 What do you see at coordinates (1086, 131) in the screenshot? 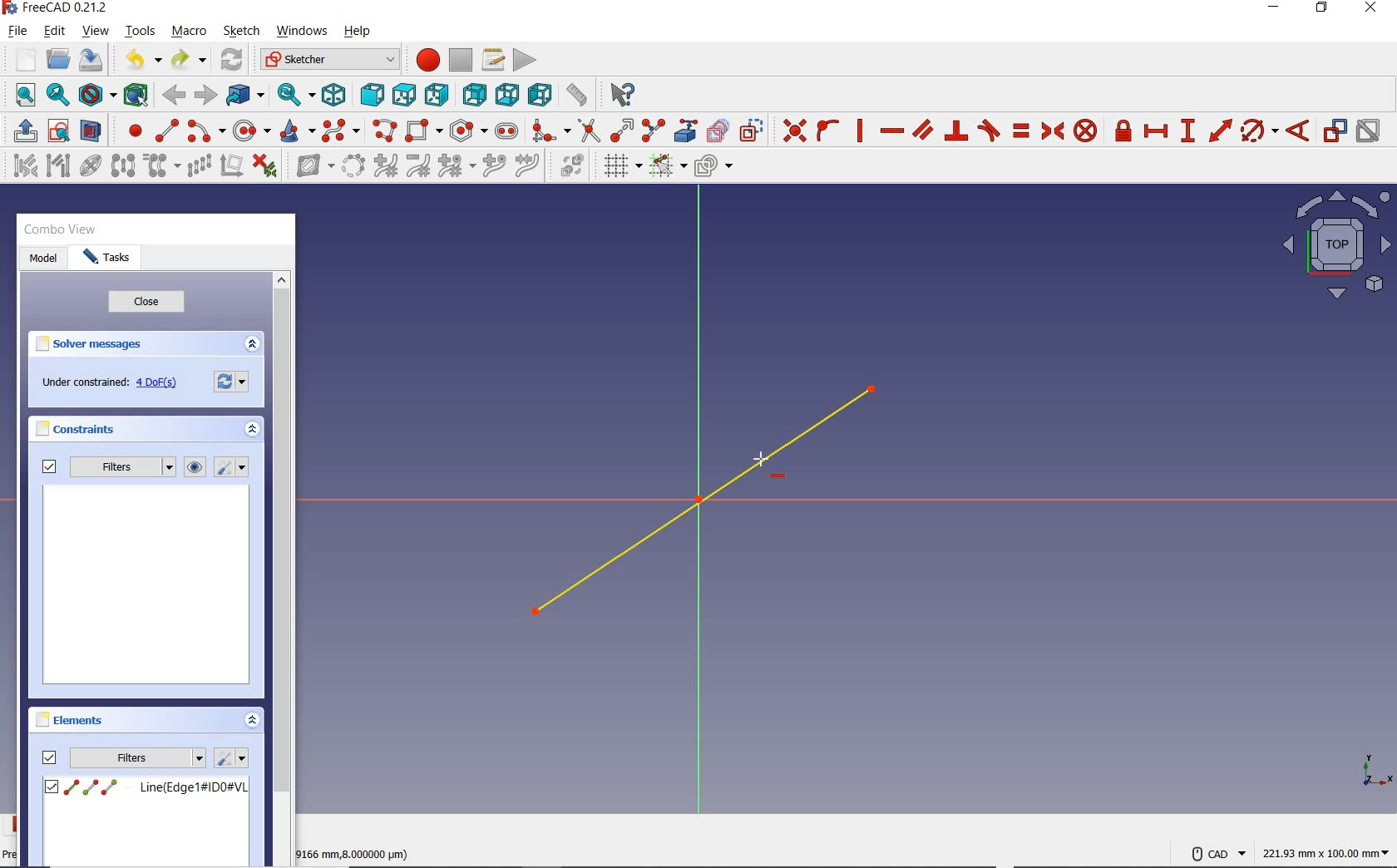
I see `CONSTRAIN BLOCK` at bounding box center [1086, 131].